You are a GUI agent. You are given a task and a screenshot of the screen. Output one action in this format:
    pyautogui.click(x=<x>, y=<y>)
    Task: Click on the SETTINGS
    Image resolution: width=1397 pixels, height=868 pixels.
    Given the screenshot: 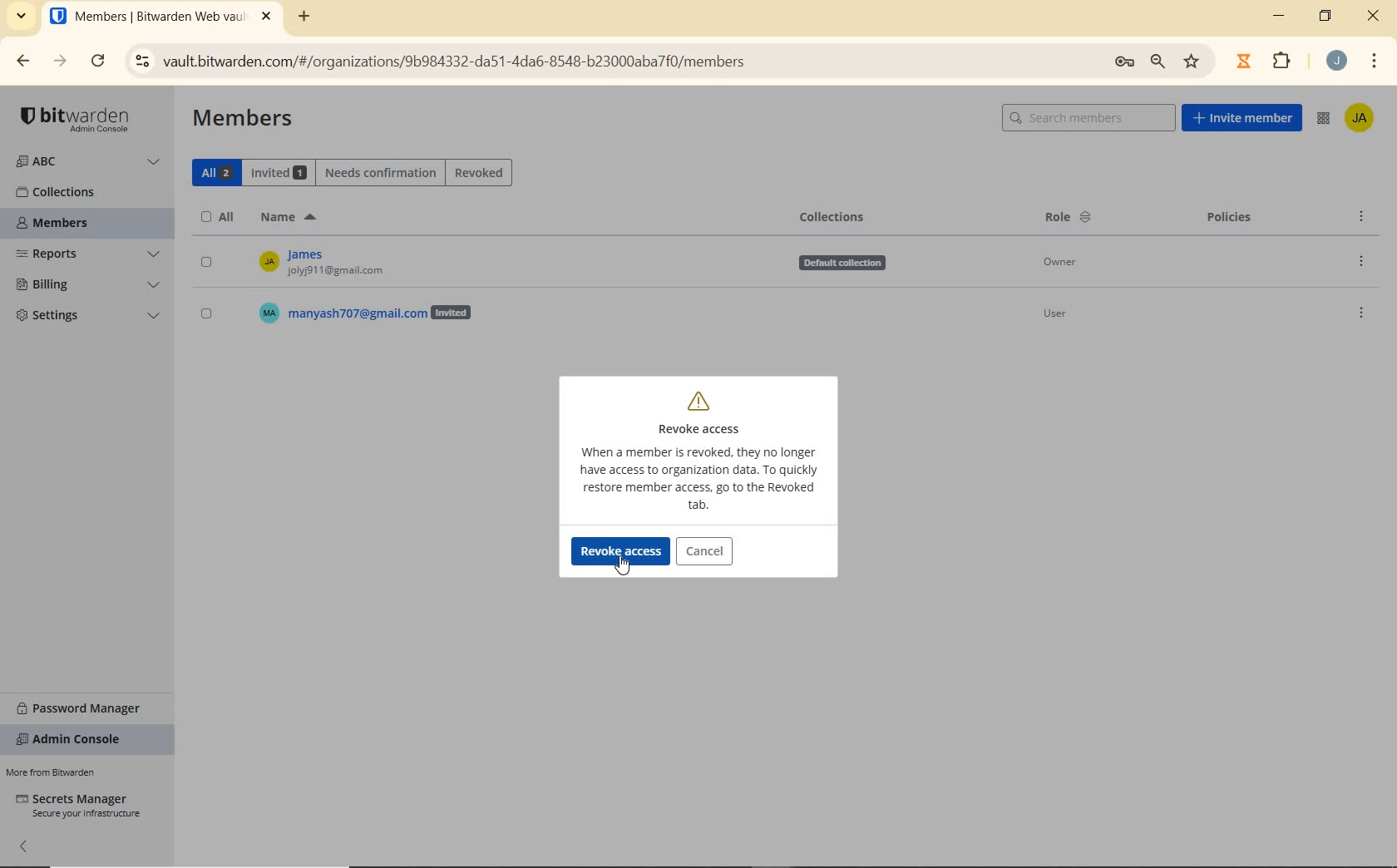 What is the action you would take?
    pyautogui.click(x=89, y=318)
    